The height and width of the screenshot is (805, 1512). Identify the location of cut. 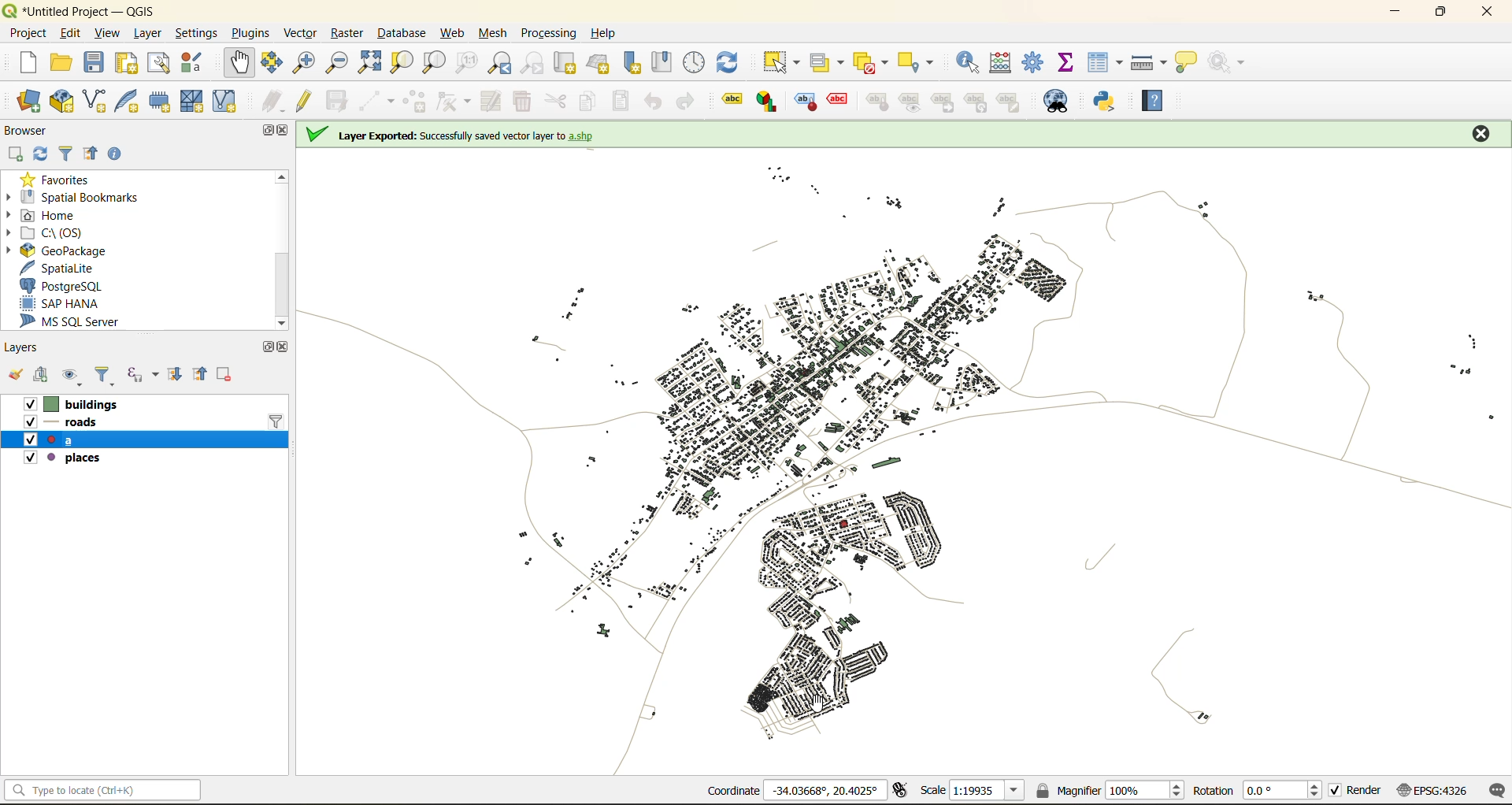
(557, 101).